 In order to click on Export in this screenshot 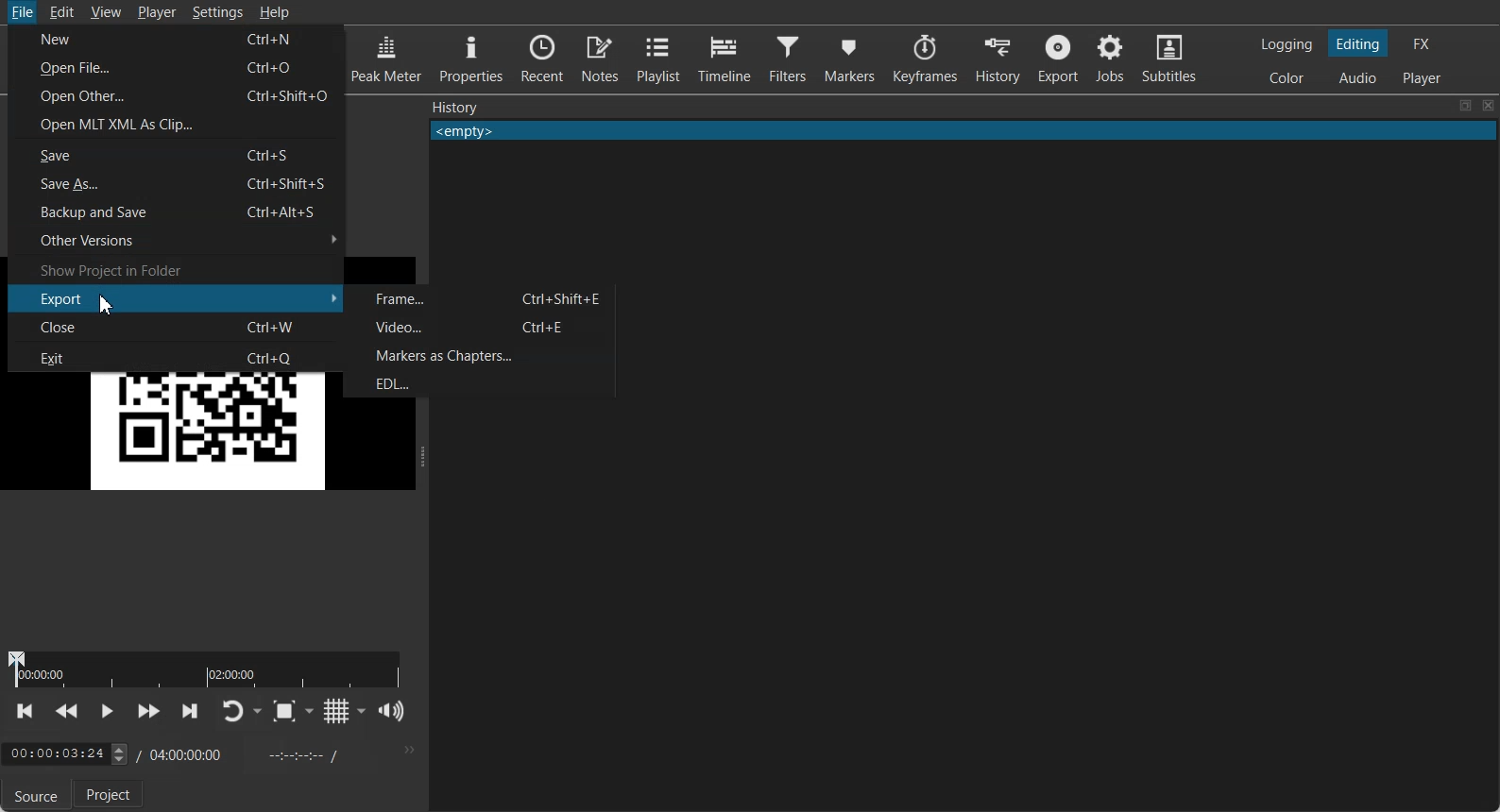, I will do `click(180, 297)`.